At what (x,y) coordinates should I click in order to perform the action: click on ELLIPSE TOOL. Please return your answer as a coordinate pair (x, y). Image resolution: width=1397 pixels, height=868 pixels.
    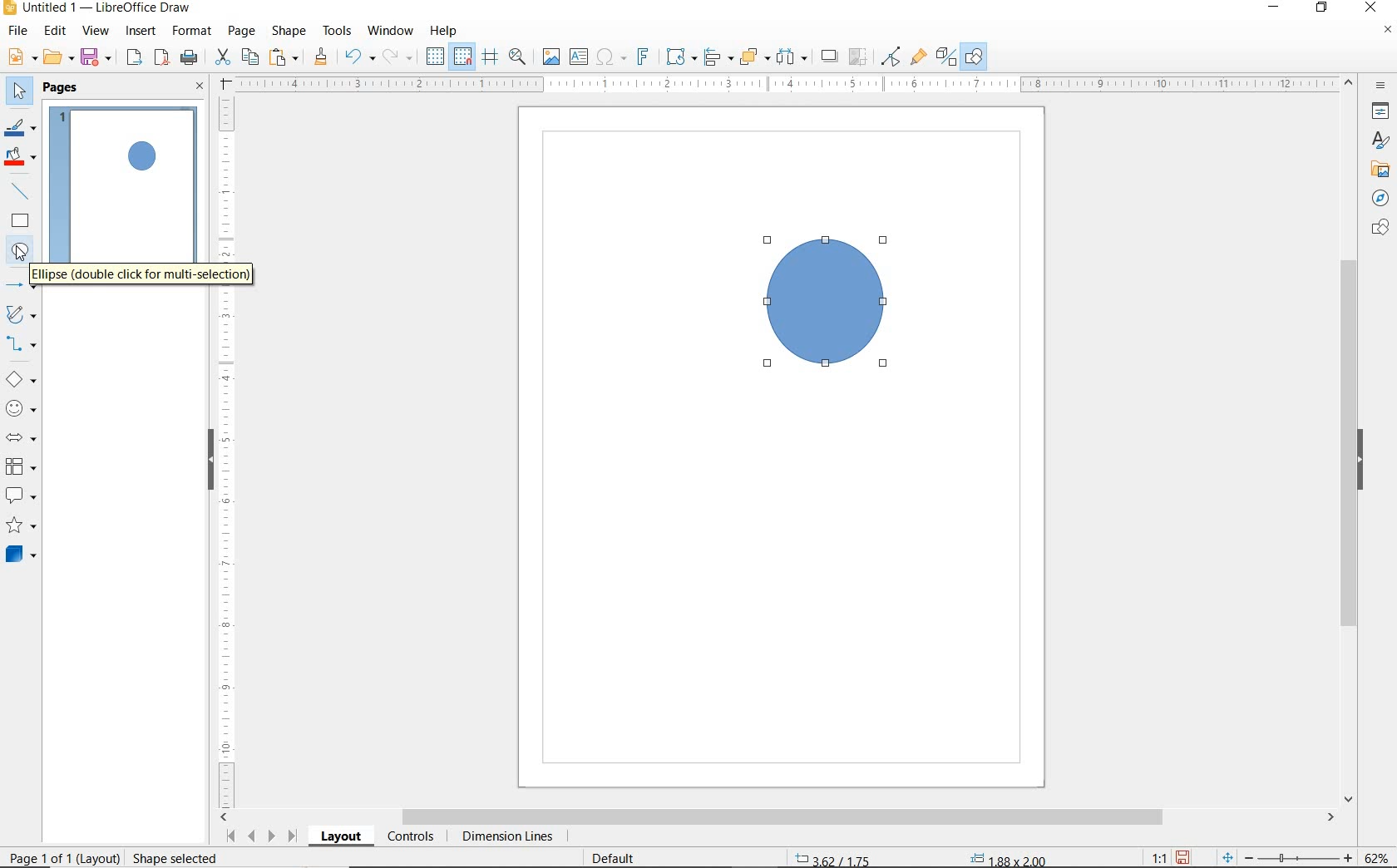
    Looking at the image, I should click on (770, 368).